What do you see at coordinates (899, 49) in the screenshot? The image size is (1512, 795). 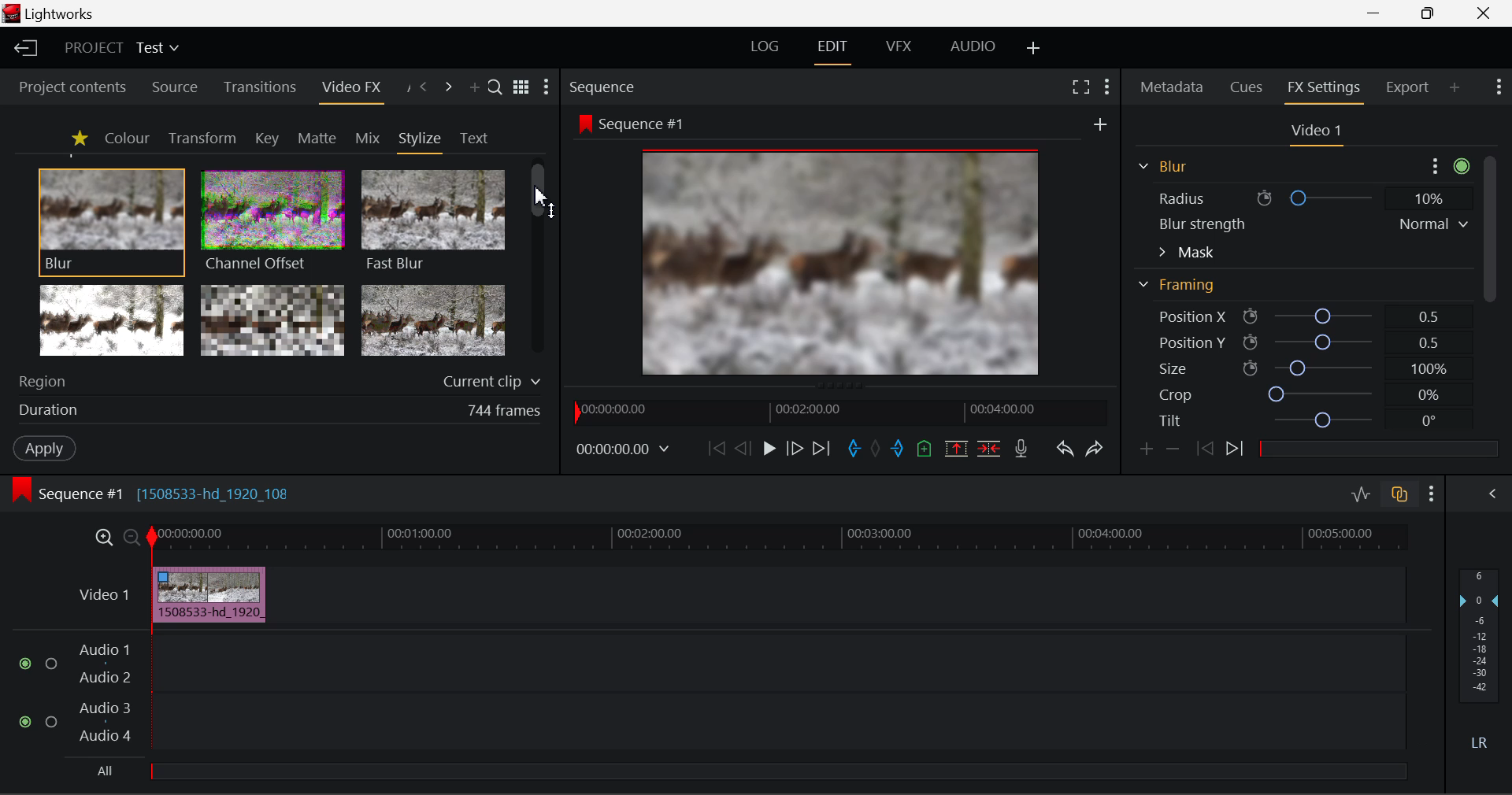 I see `VFX Layout` at bounding box center [899, 49].